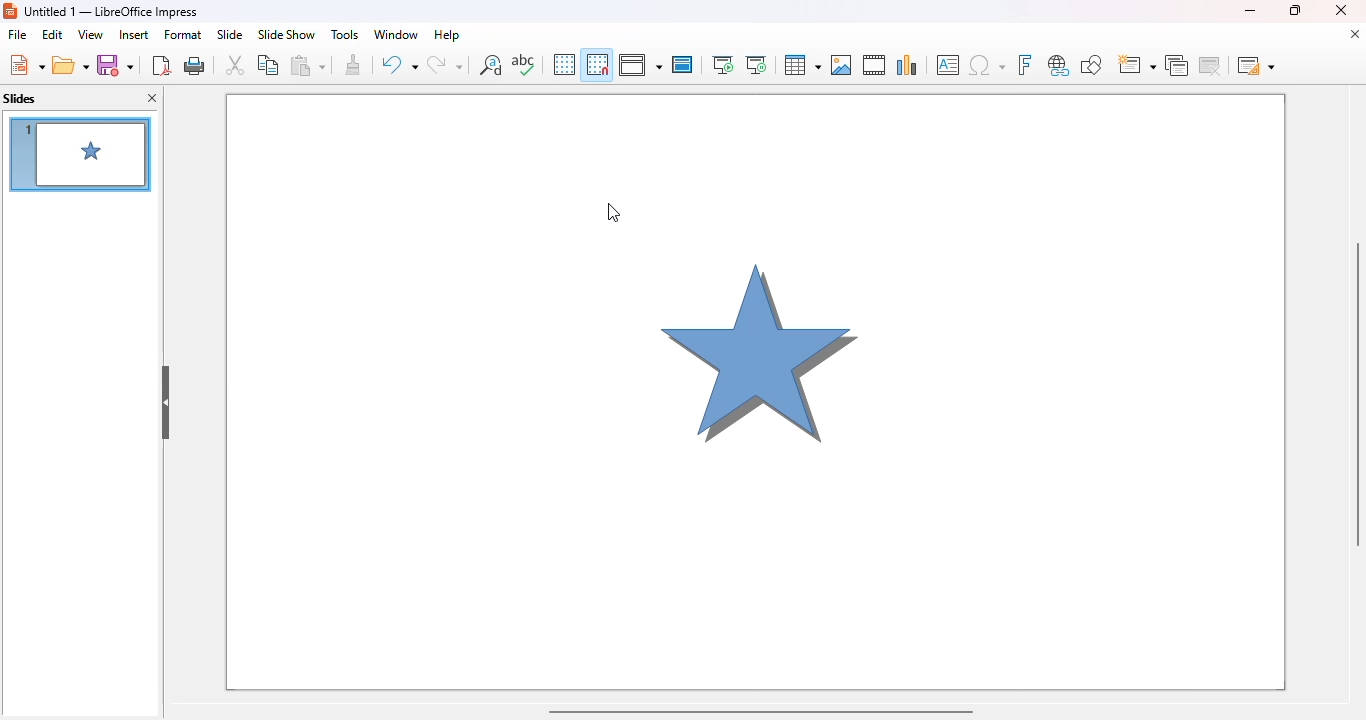 The height and width of the screenshot is (720, 1366). What do you see at coordinates (269, 65) in the screenshot?
I see `copy` at bounding box center [269, 65].